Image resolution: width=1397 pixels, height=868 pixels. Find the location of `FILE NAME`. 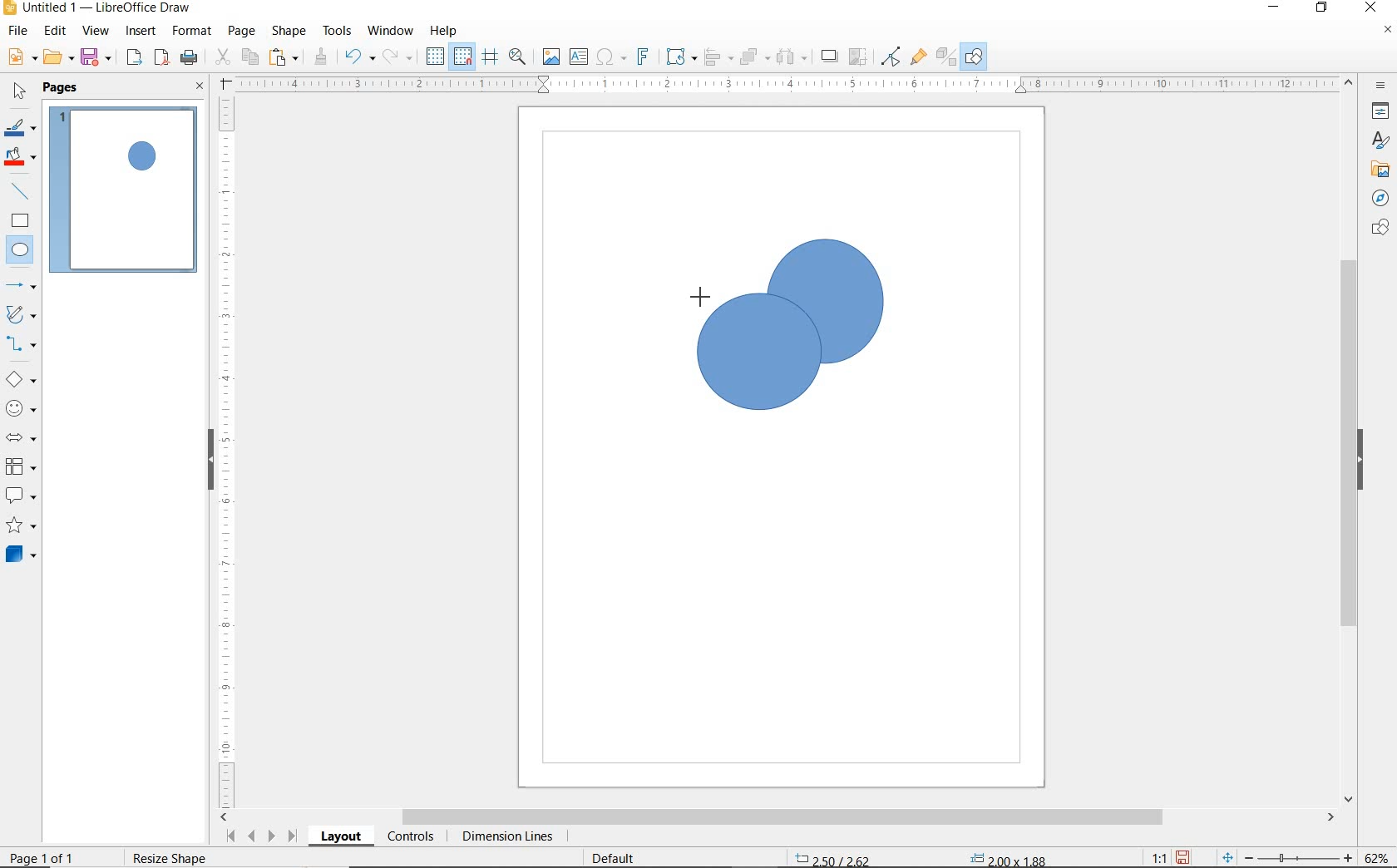

FILE NAME is located at coordinates (96, 9).